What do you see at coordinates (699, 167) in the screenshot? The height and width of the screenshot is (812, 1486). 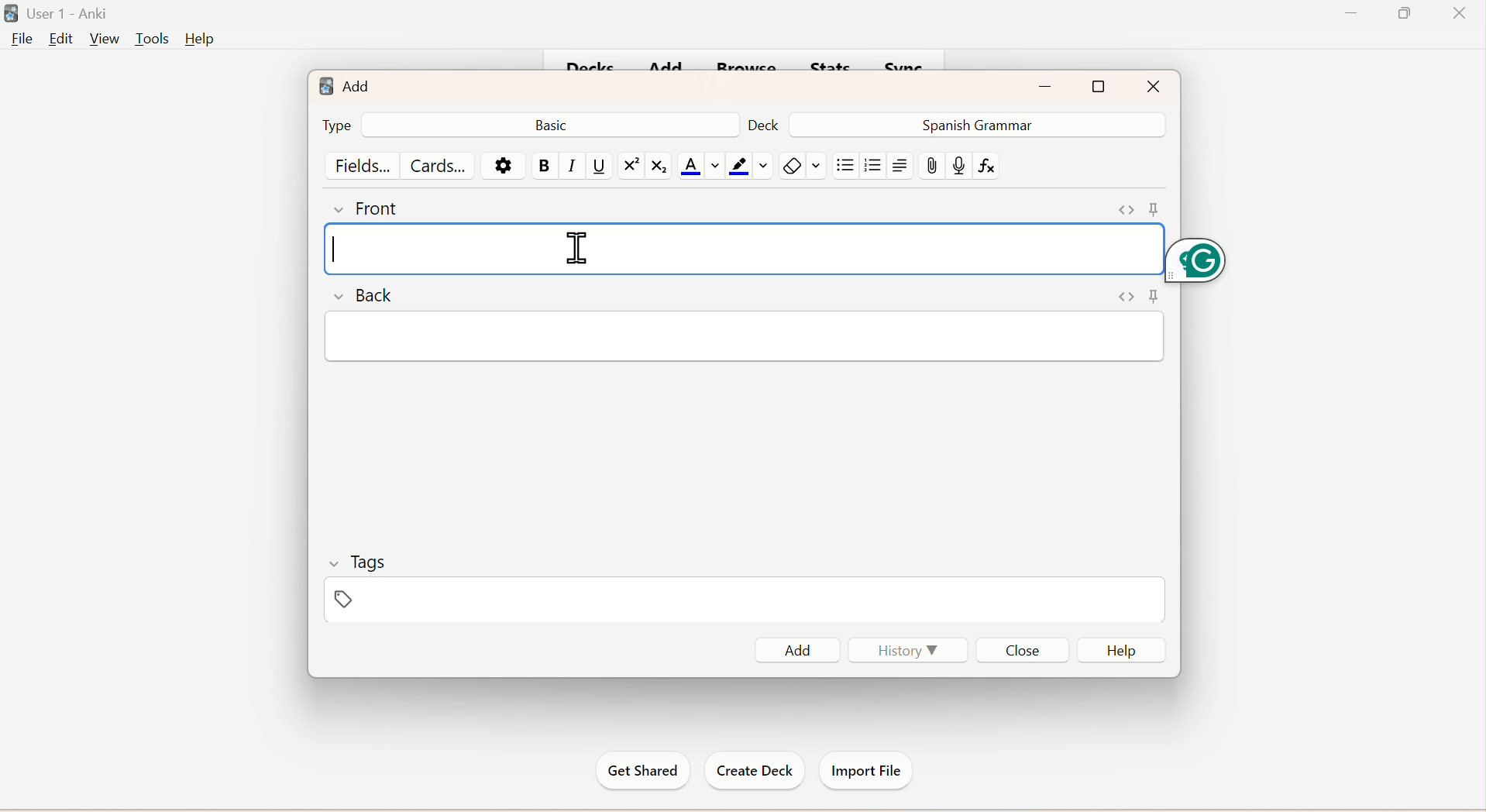 I see `Text Color` at bounding box center [699, 167].